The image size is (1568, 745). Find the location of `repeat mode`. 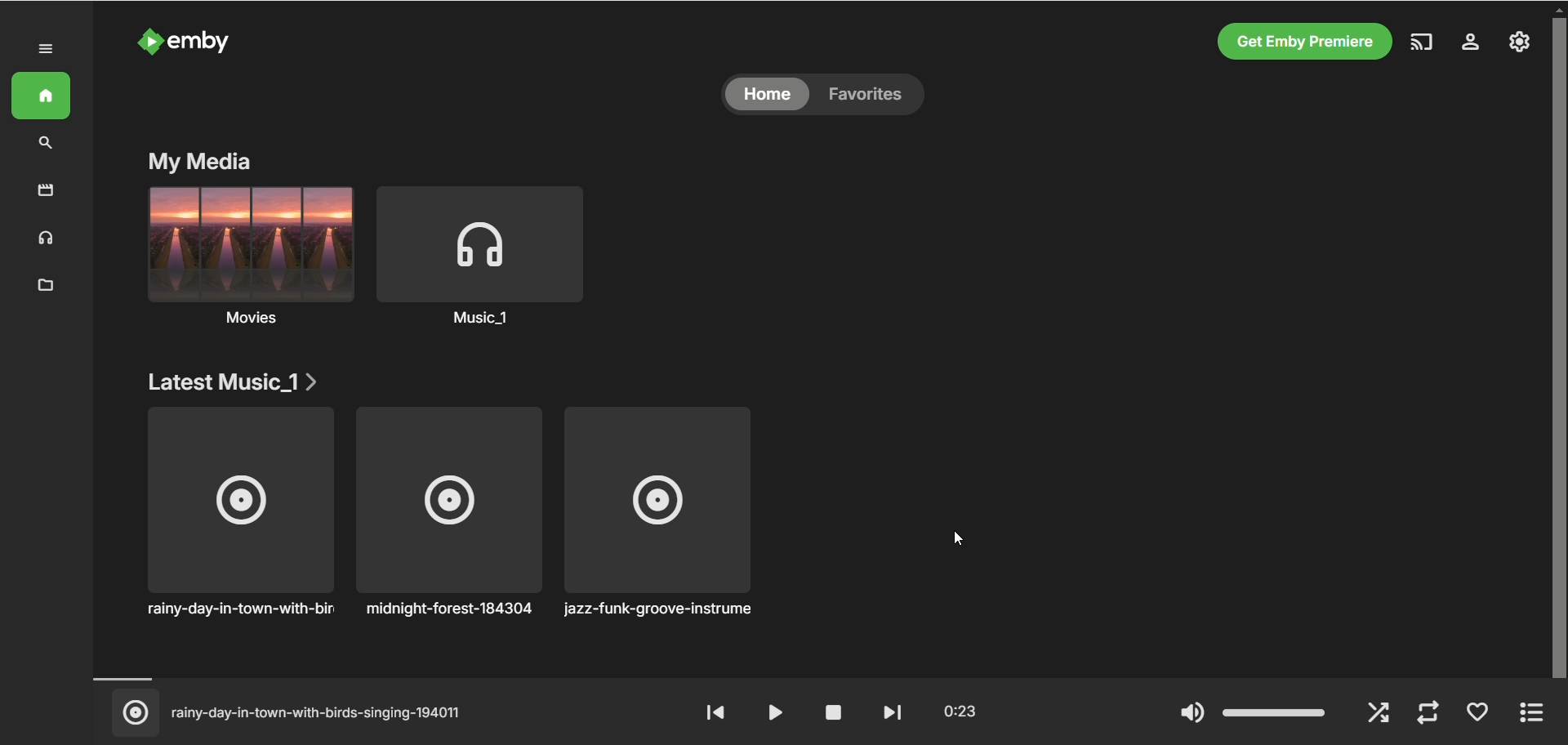

repeat mode is located at coordinates (1429, 714).